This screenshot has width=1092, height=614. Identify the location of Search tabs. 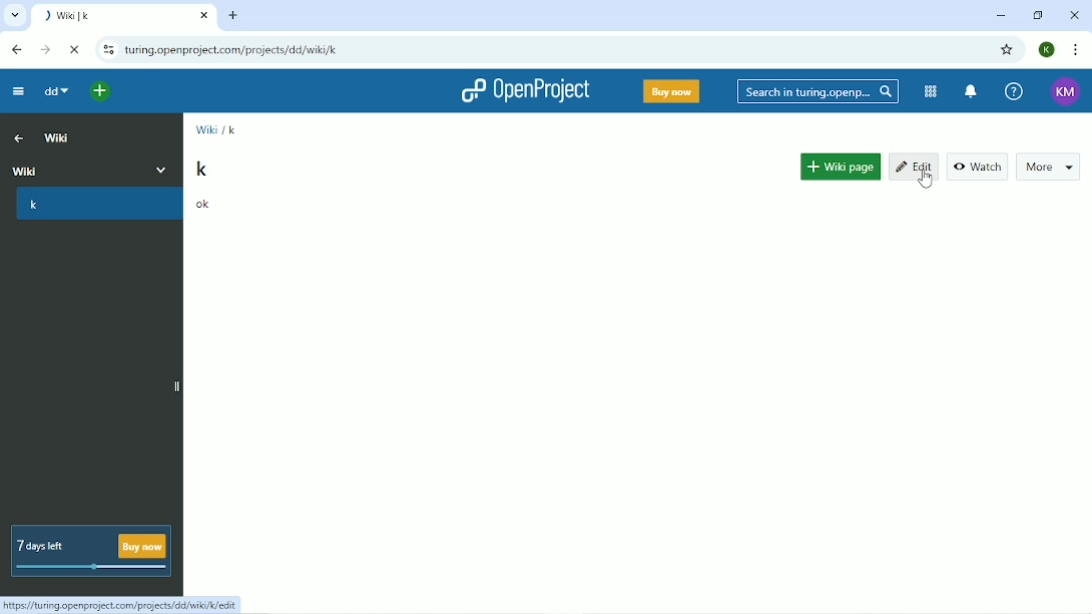
(17, 16).